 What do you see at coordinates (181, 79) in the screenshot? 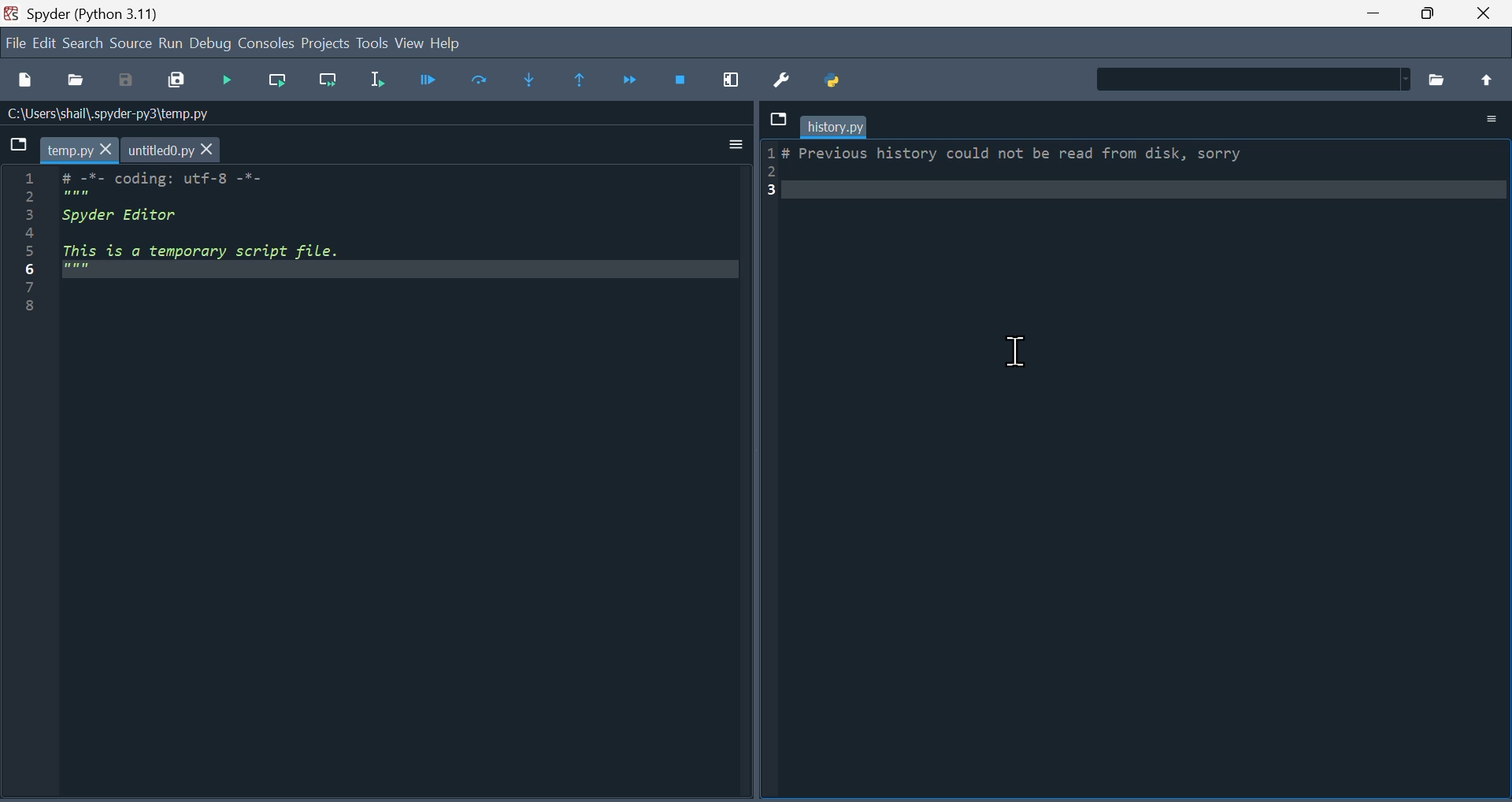
I see `Save all` at bounding box center [181, 79].